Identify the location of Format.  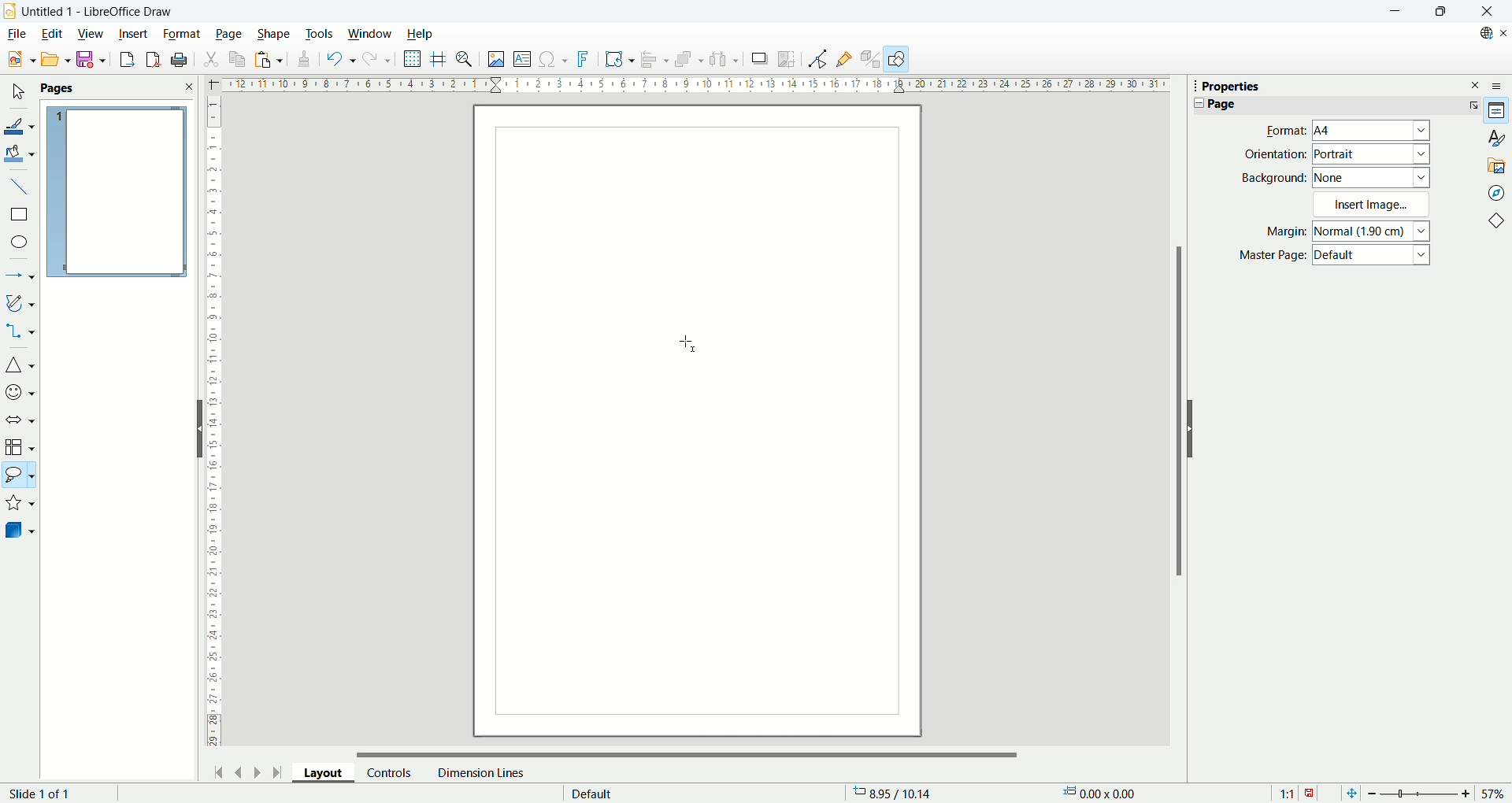
(1281, 130).